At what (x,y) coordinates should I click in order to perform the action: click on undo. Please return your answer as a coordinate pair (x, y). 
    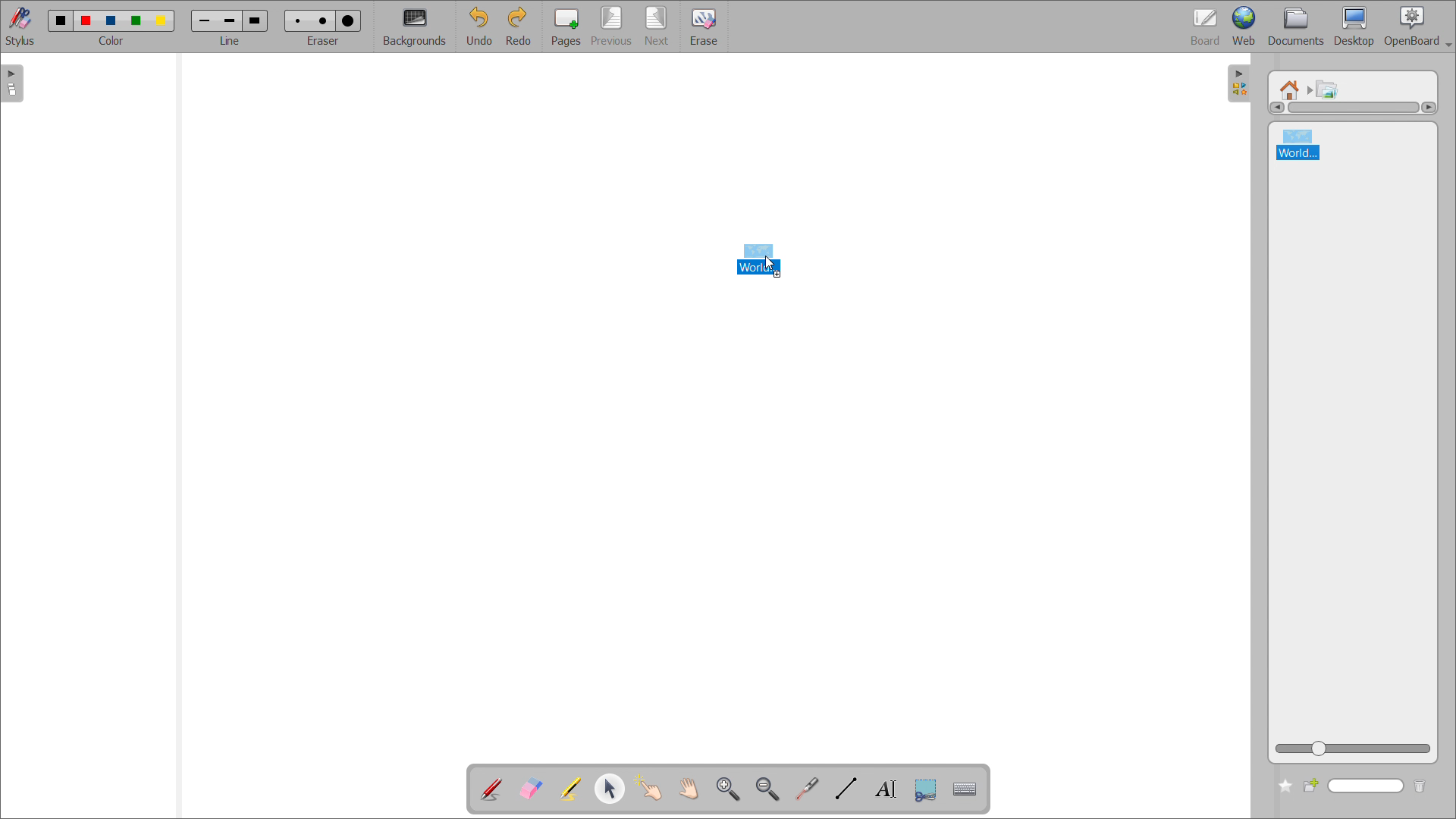
    Looking at the image, I should click on (479, 26).